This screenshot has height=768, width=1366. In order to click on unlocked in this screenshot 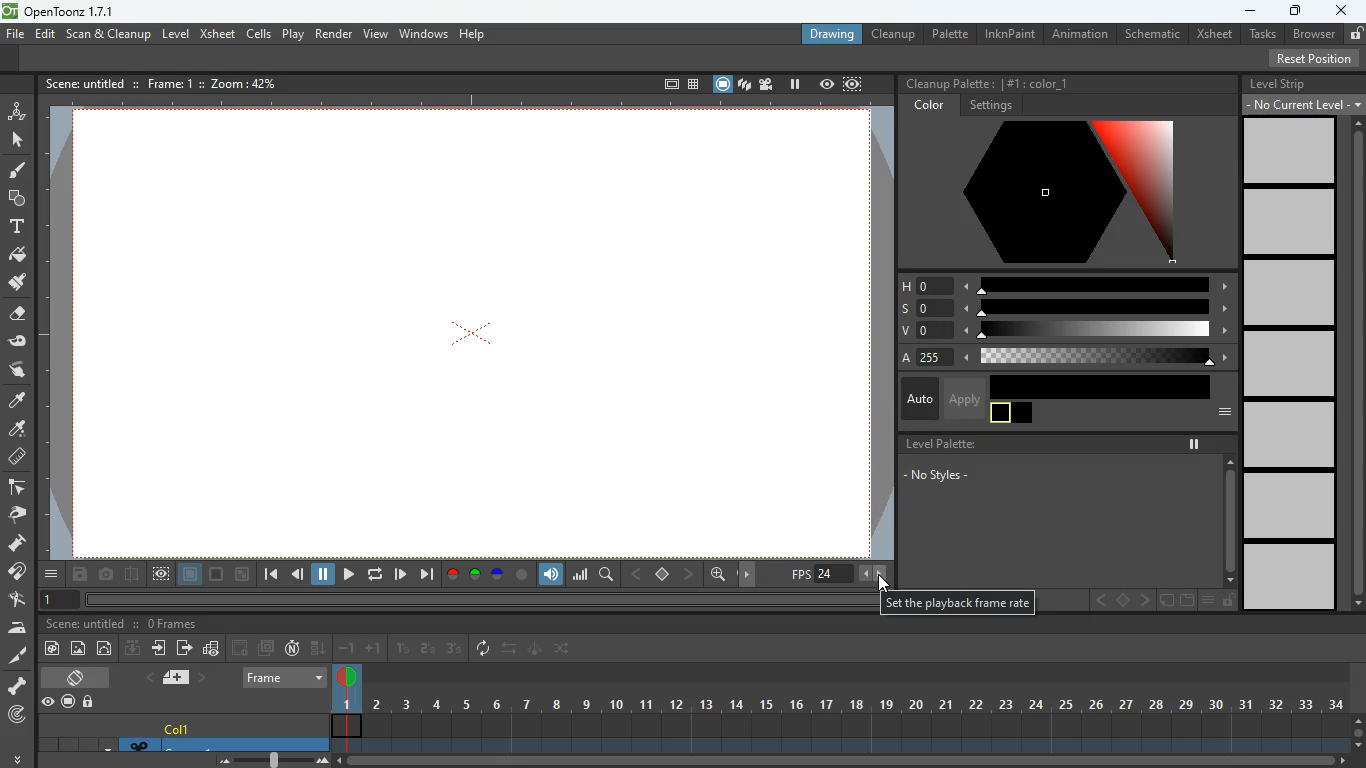, I will do `click(1355, 34)`.